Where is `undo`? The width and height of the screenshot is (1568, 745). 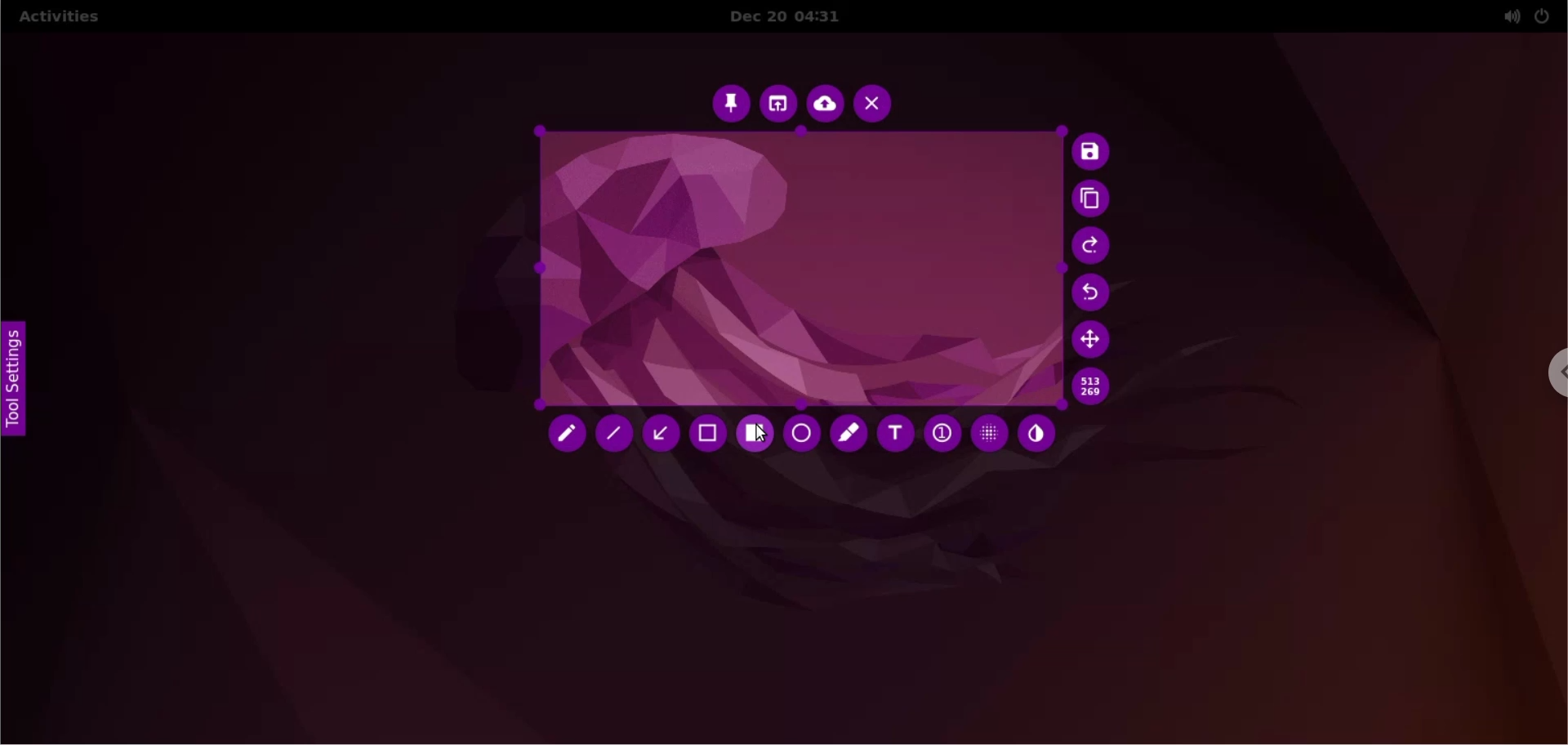
undo is located at coordinates (1092, 292).